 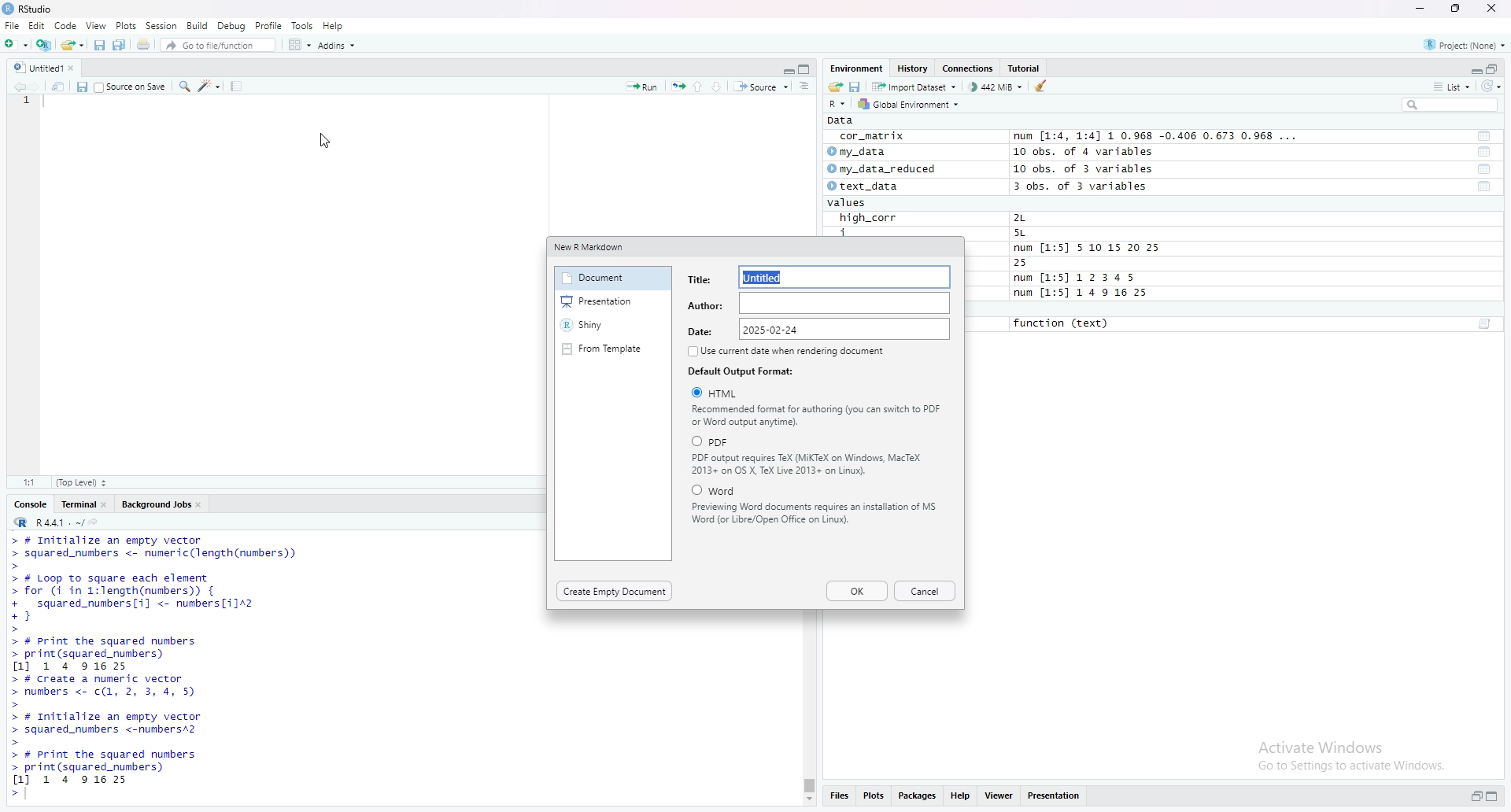 What do you see at coordinates (183, 87) in the screenshot?
I see `Search` at bounding box center [183, 87].